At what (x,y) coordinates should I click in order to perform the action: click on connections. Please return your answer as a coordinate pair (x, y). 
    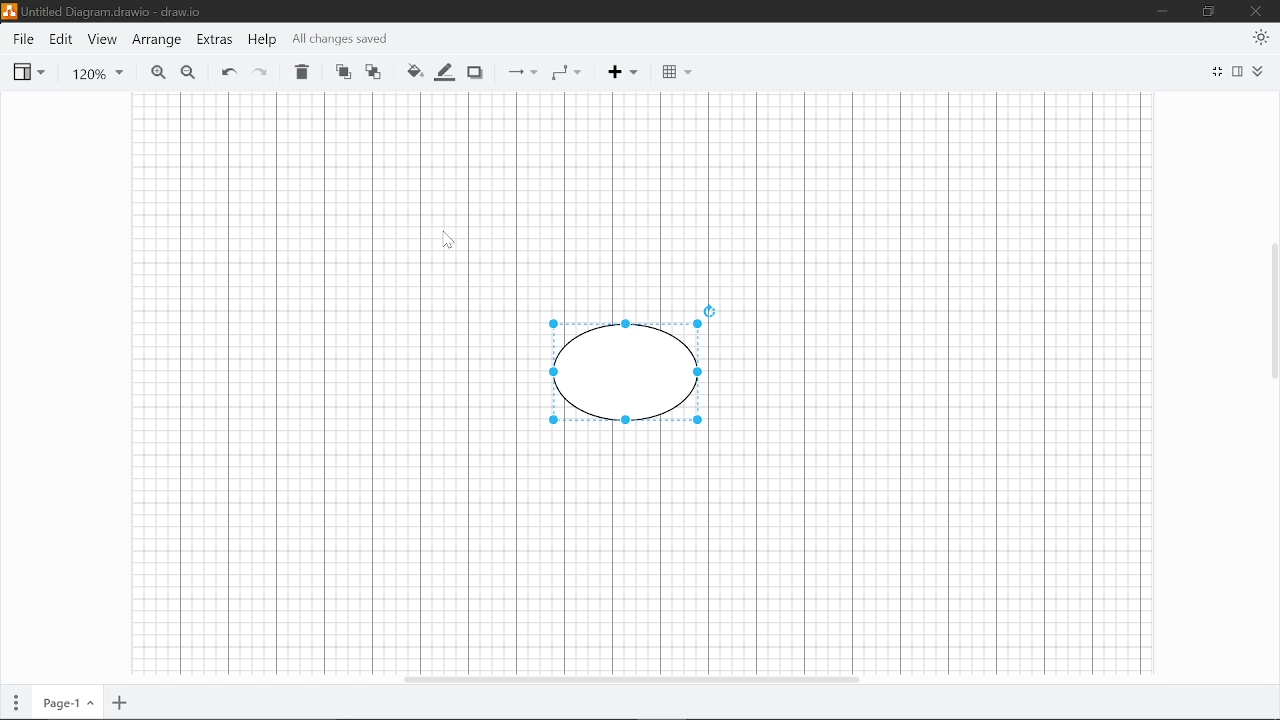
    Looking at the image, I should click on (517, 73).